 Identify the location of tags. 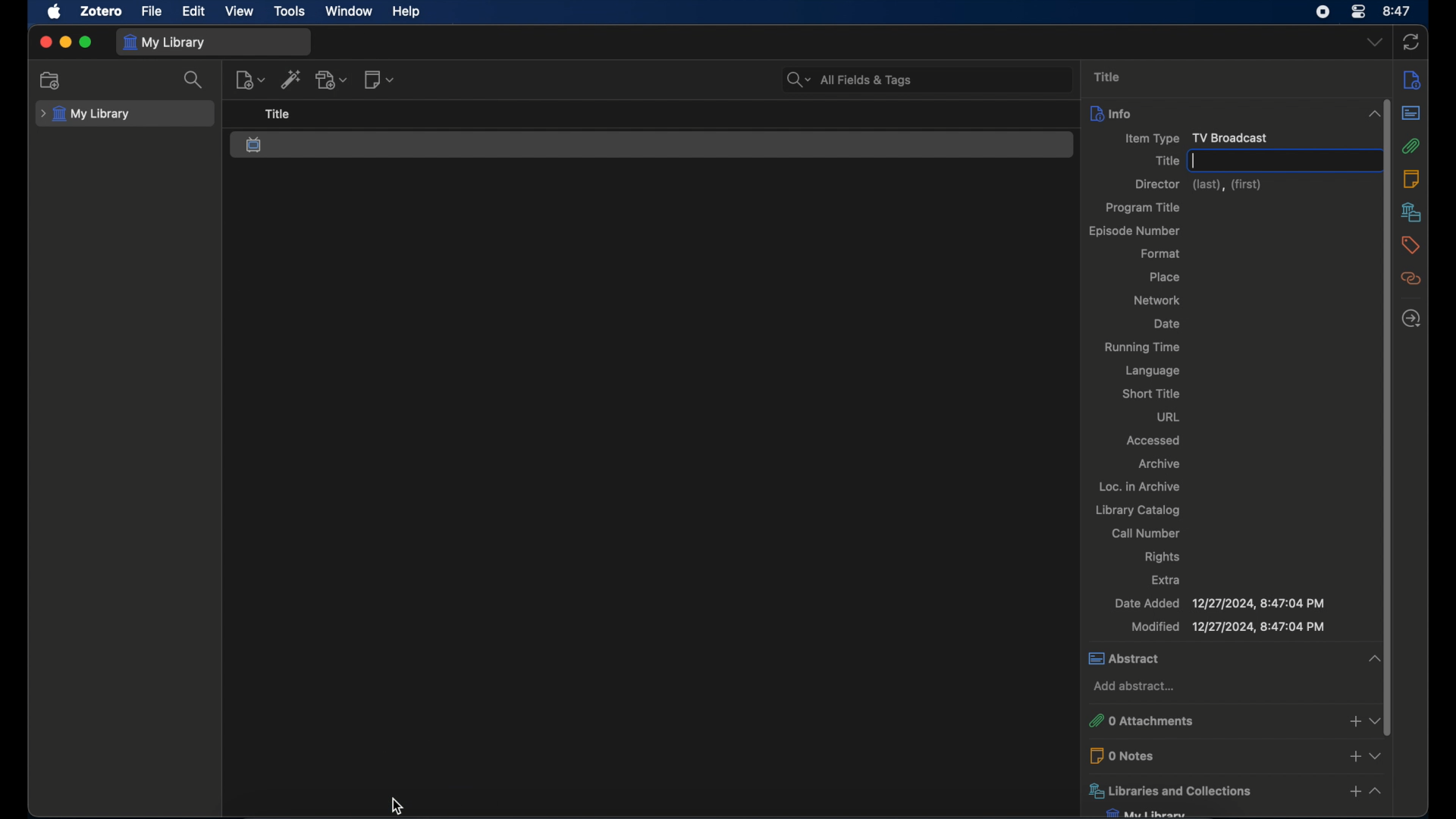
(1411, 245).